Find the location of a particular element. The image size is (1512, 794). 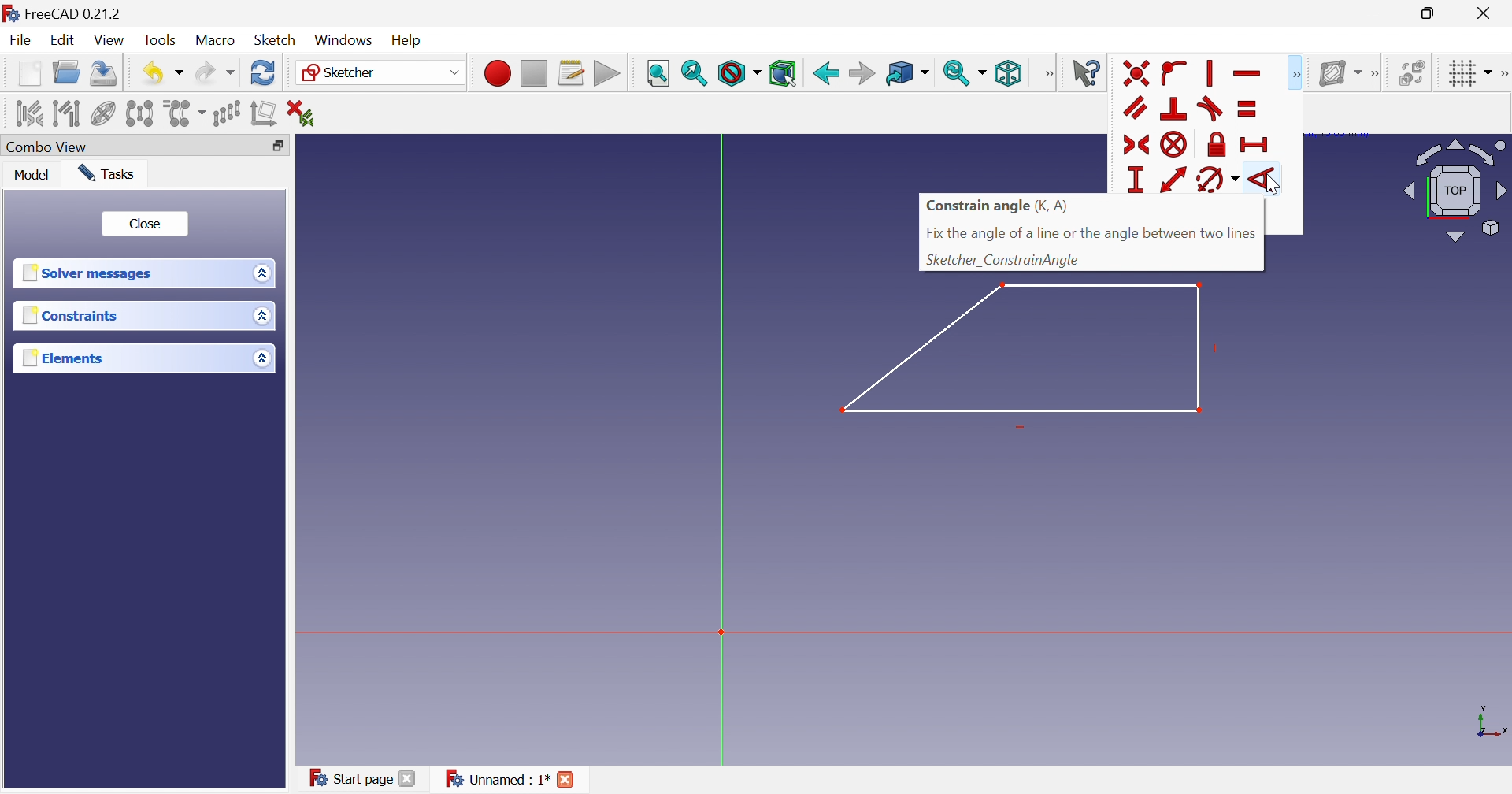

Select associated geometry is located at coordinates (65, 113).